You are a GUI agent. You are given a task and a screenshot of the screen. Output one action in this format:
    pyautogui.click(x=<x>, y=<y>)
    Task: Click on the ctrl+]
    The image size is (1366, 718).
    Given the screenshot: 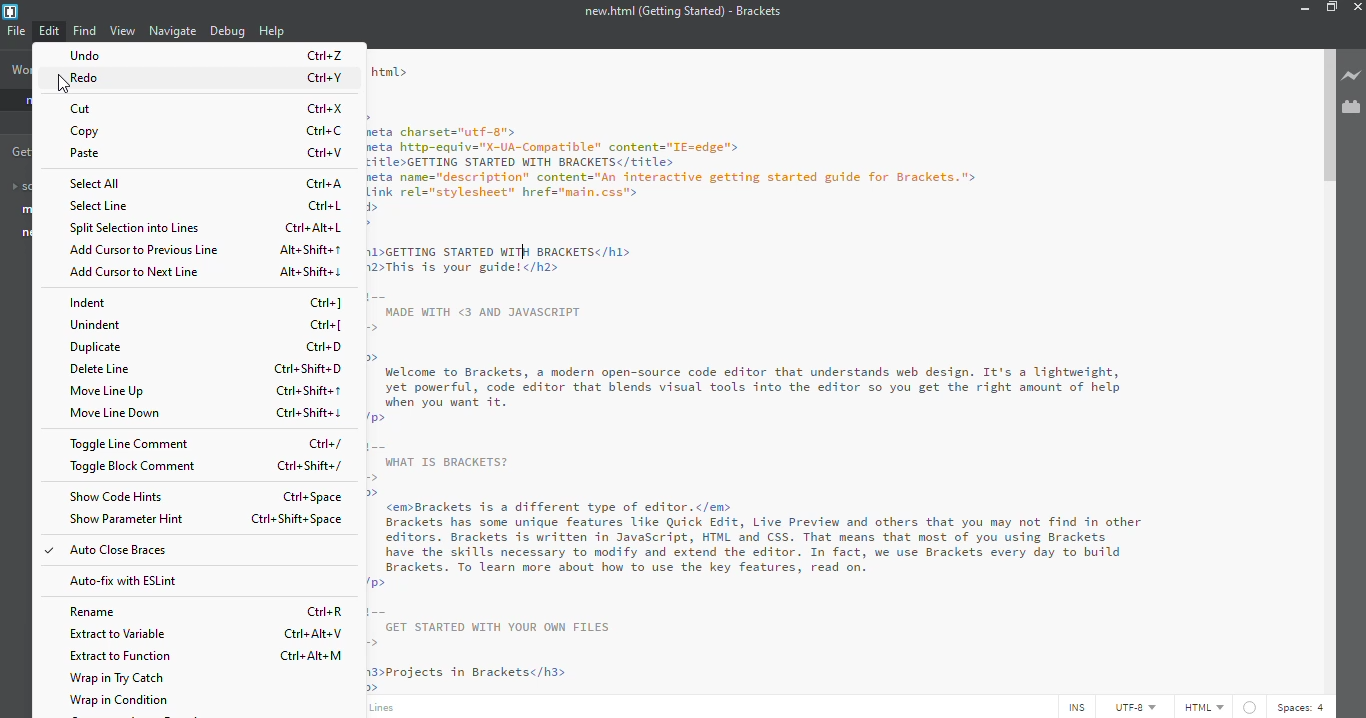 What is the action you would take?
    pyautogui.click(x=327, y=303)
    